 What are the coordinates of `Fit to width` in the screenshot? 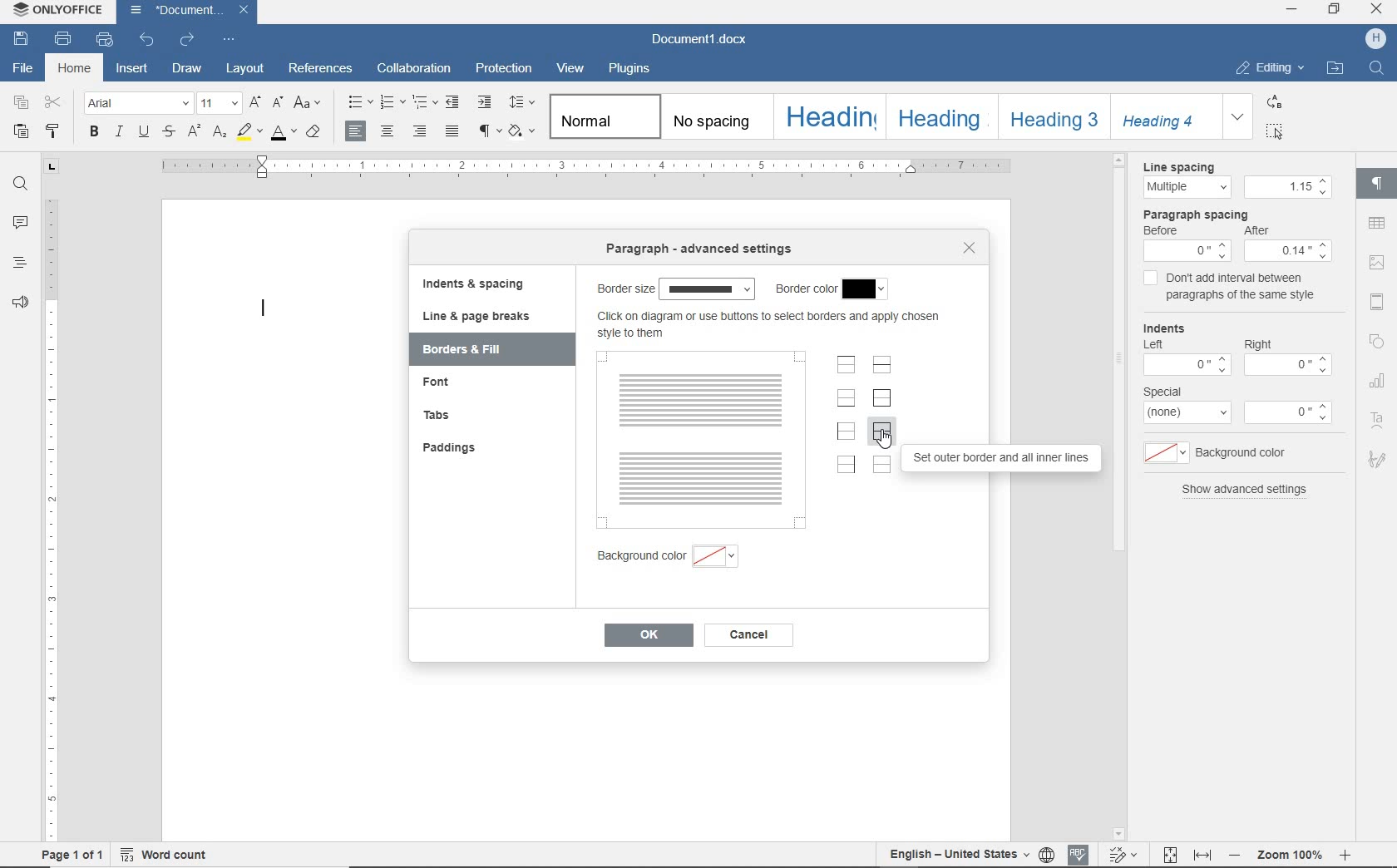 It's located at (1204, 856).